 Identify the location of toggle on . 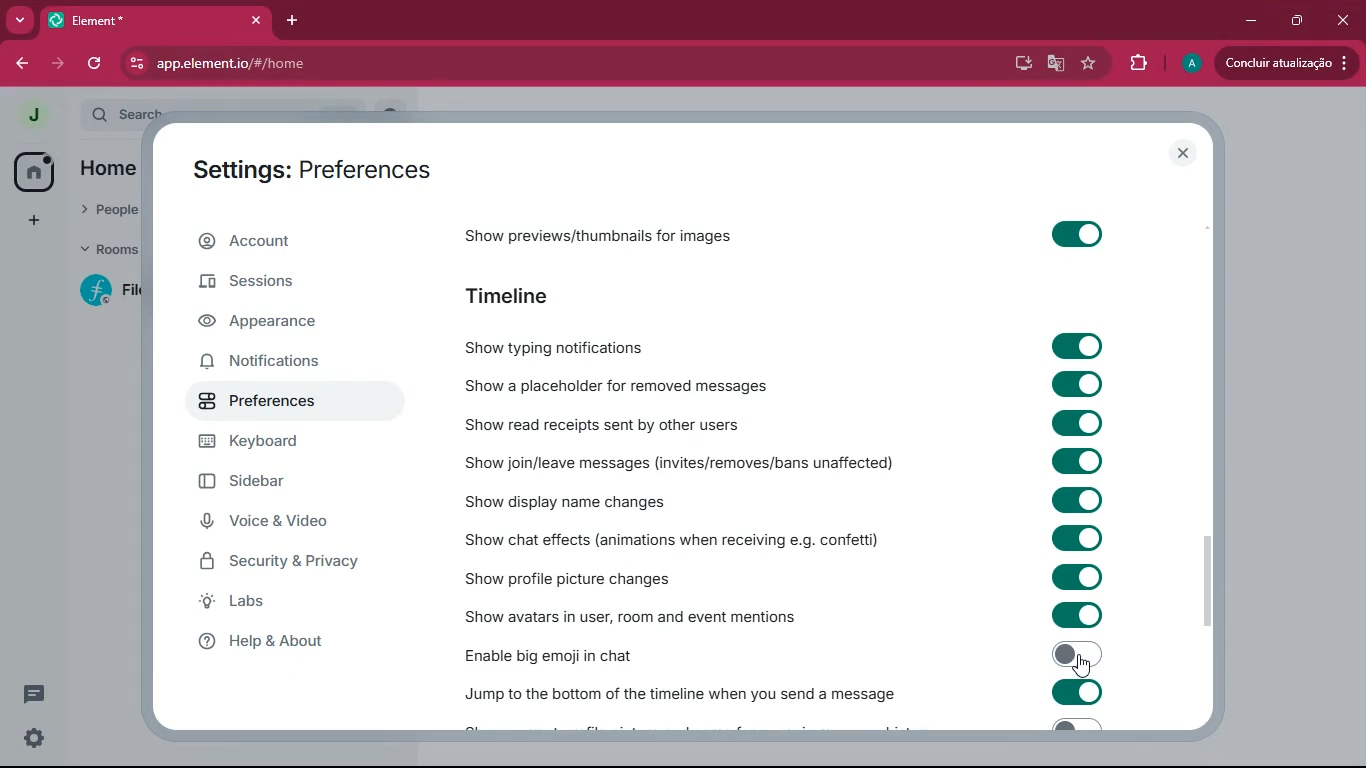
(1074, 238).